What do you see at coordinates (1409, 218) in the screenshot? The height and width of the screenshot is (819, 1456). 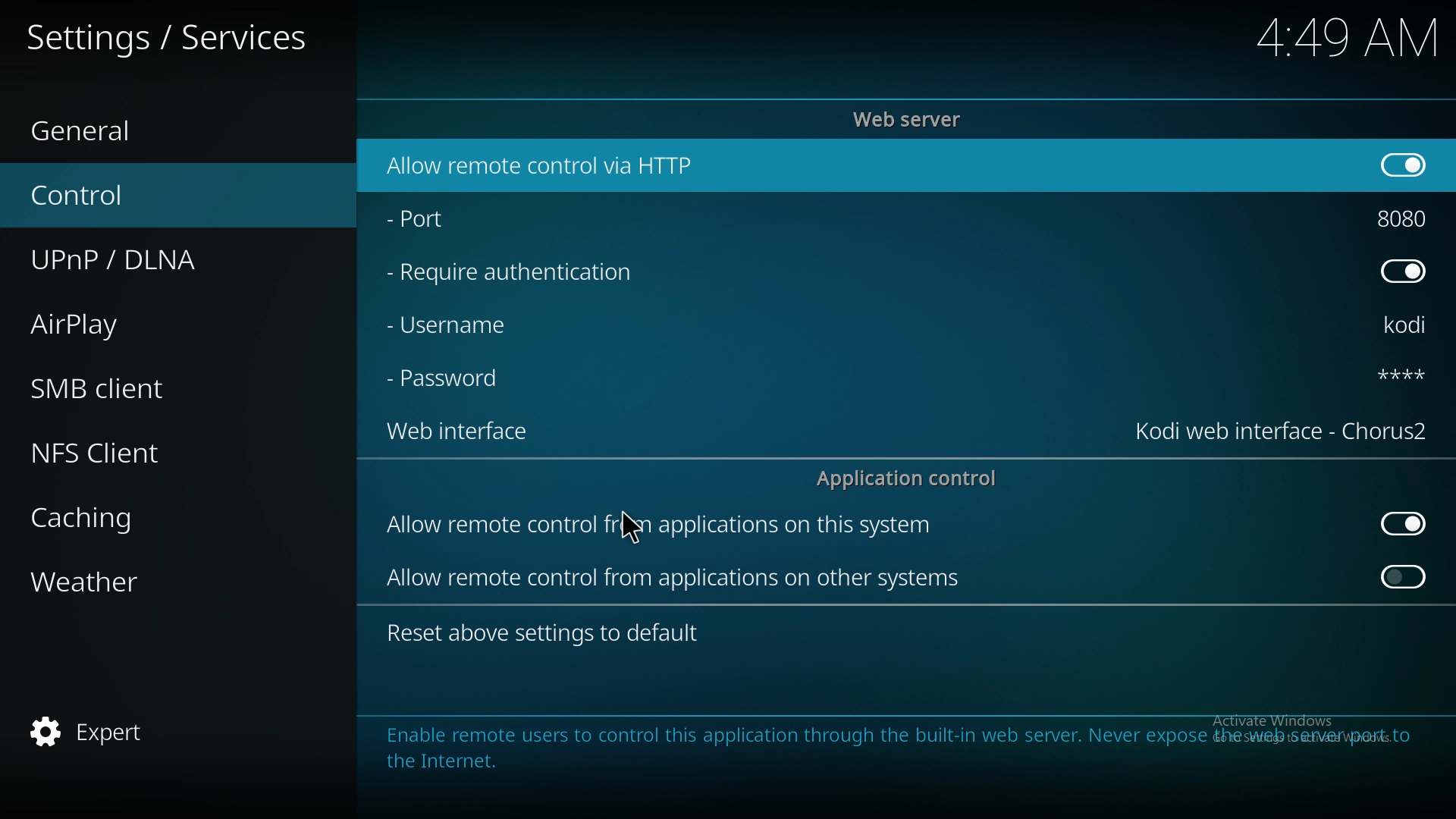 I see `port` at bounding box center [1409, 218].